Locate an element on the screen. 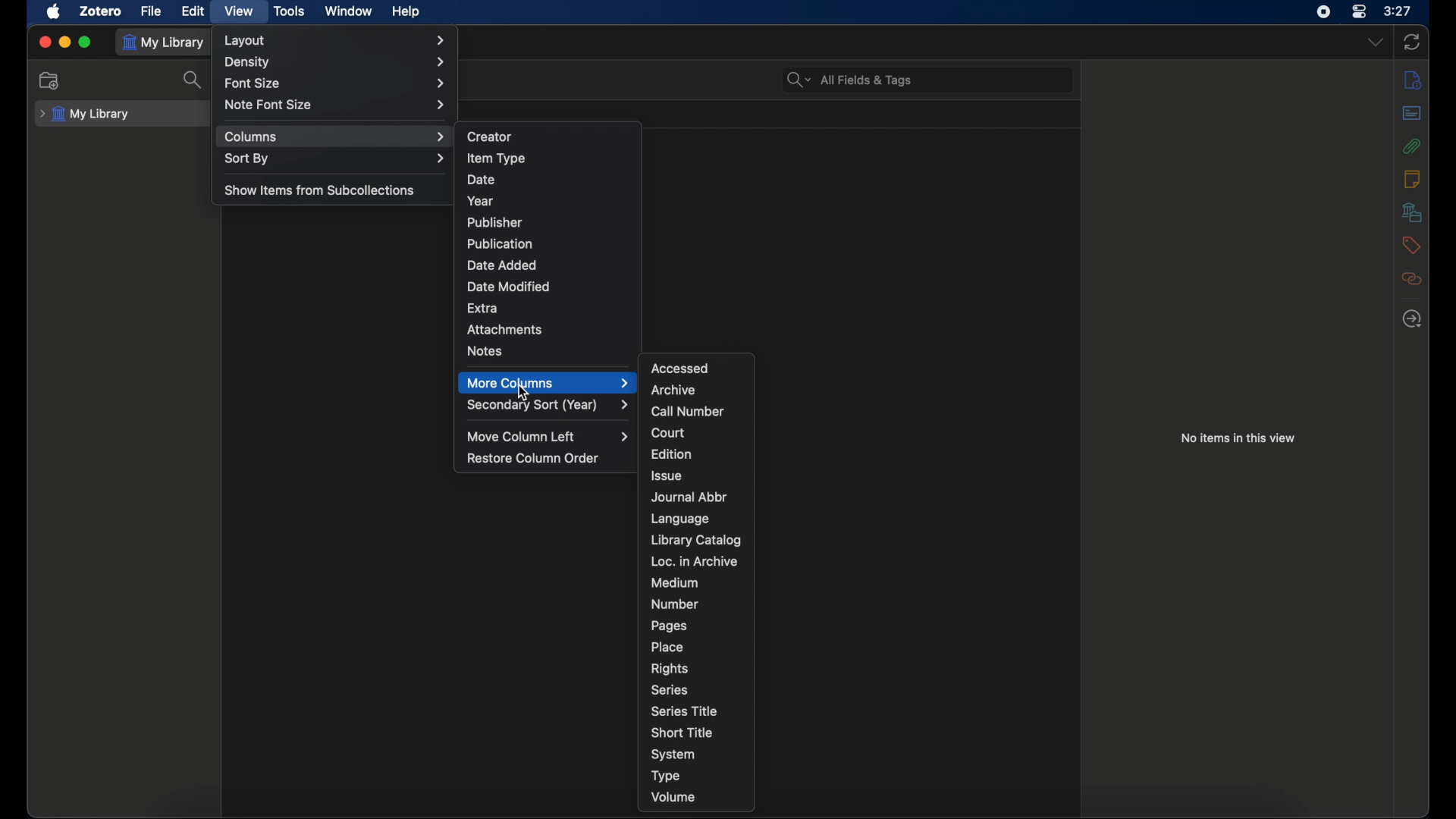  density is located at coordinates (335, 63).